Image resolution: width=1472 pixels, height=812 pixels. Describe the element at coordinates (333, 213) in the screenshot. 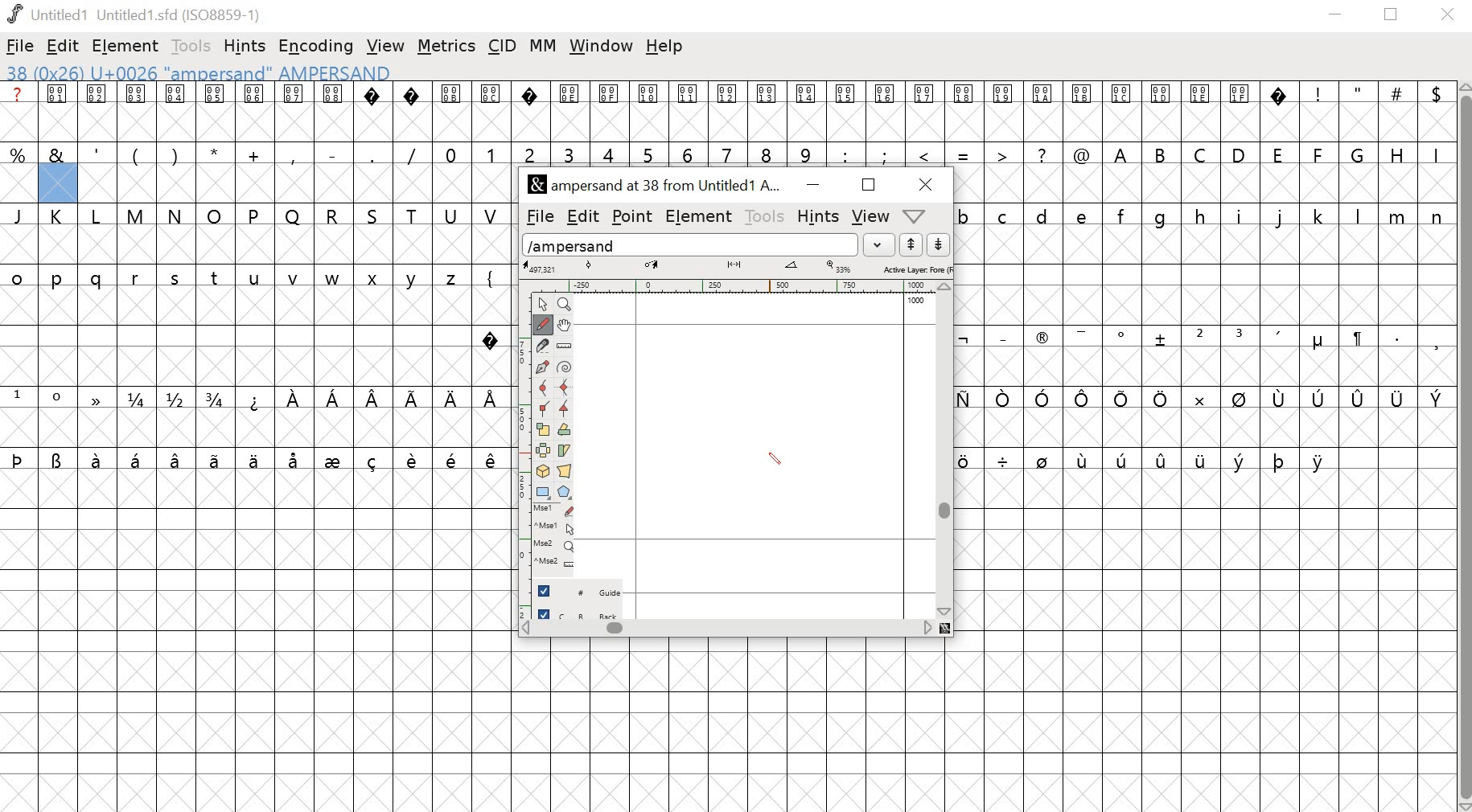

I see `R` at that location.